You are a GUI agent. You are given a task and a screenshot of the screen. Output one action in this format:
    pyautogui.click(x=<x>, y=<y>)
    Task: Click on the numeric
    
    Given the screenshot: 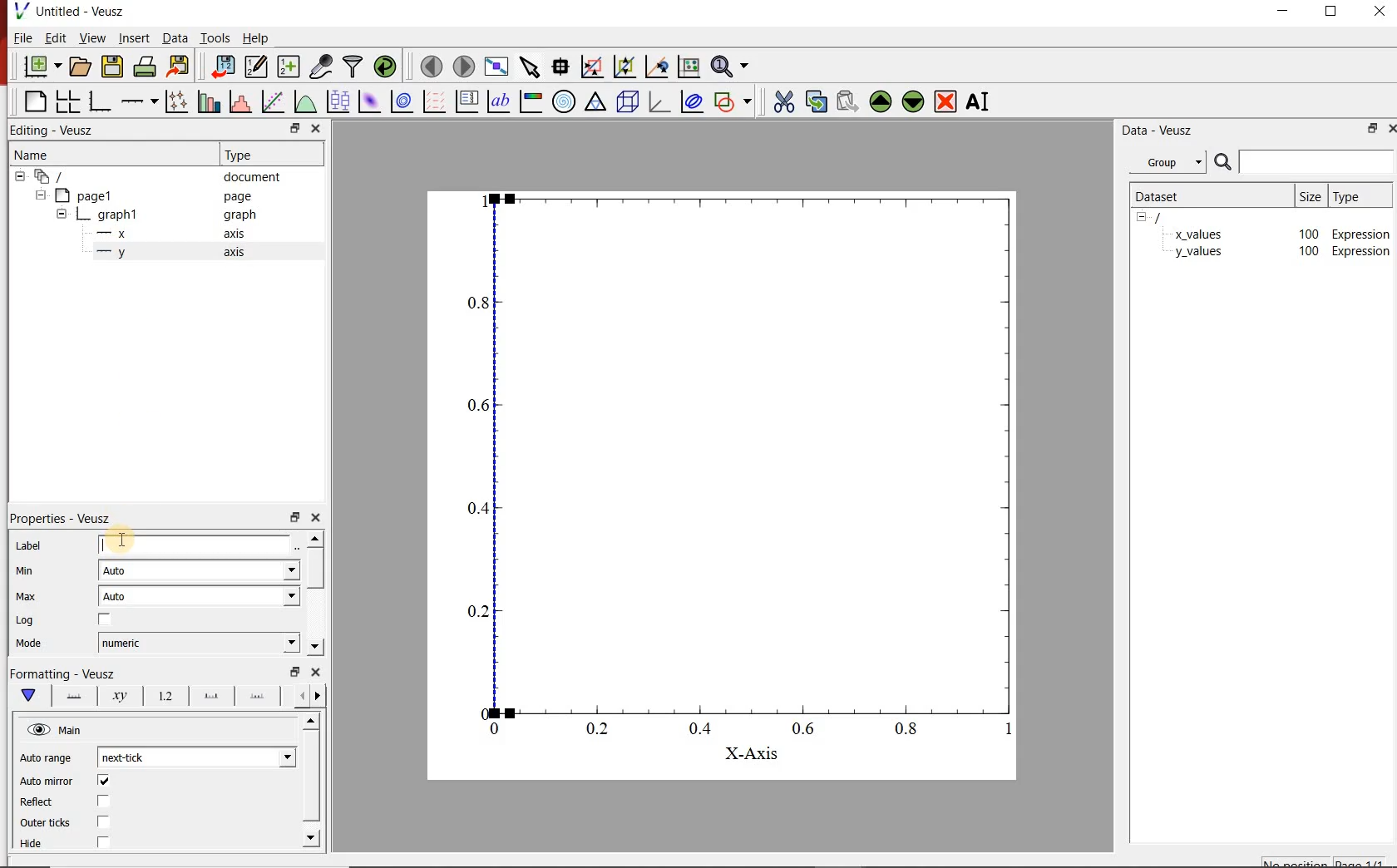 What is the action you would take?
    pyautogui.click(x=198, y=642)
    